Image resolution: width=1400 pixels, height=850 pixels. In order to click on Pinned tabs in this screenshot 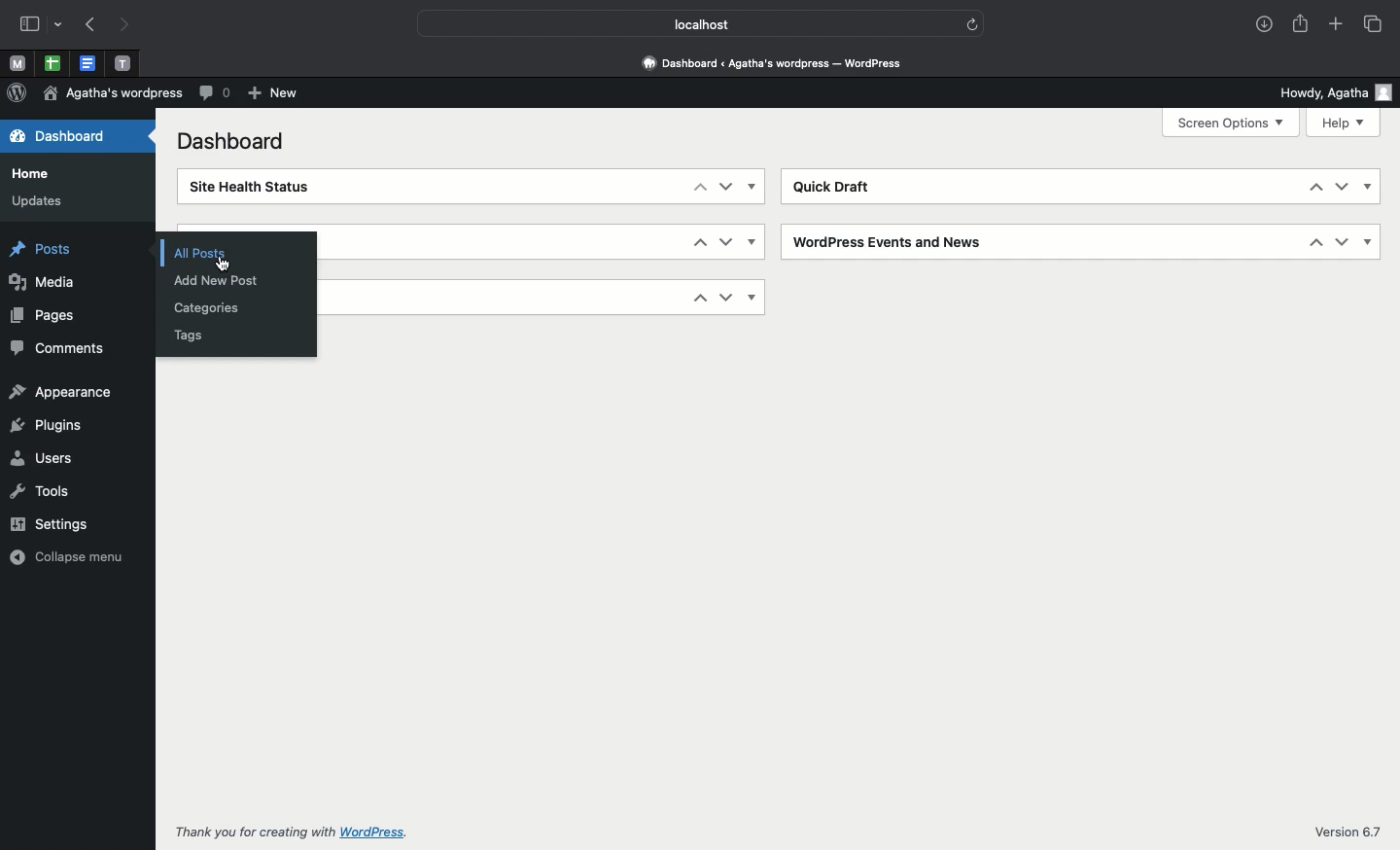, I will do `click(51, 62)`.